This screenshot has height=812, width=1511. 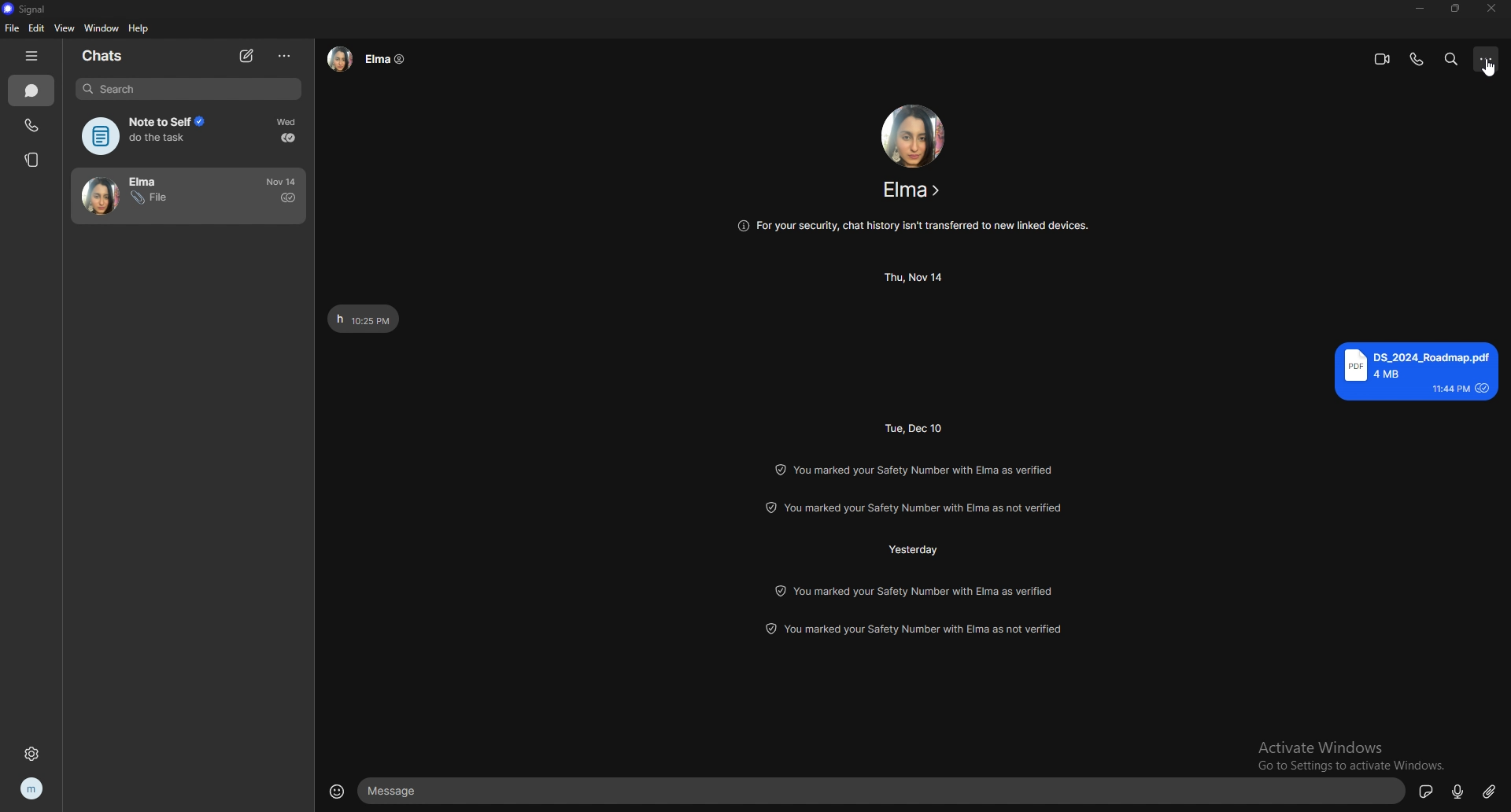 What do you see at coordinates (1488, 68) in the screenshot?
I see `cursor` at bounding box center [1488, 68].